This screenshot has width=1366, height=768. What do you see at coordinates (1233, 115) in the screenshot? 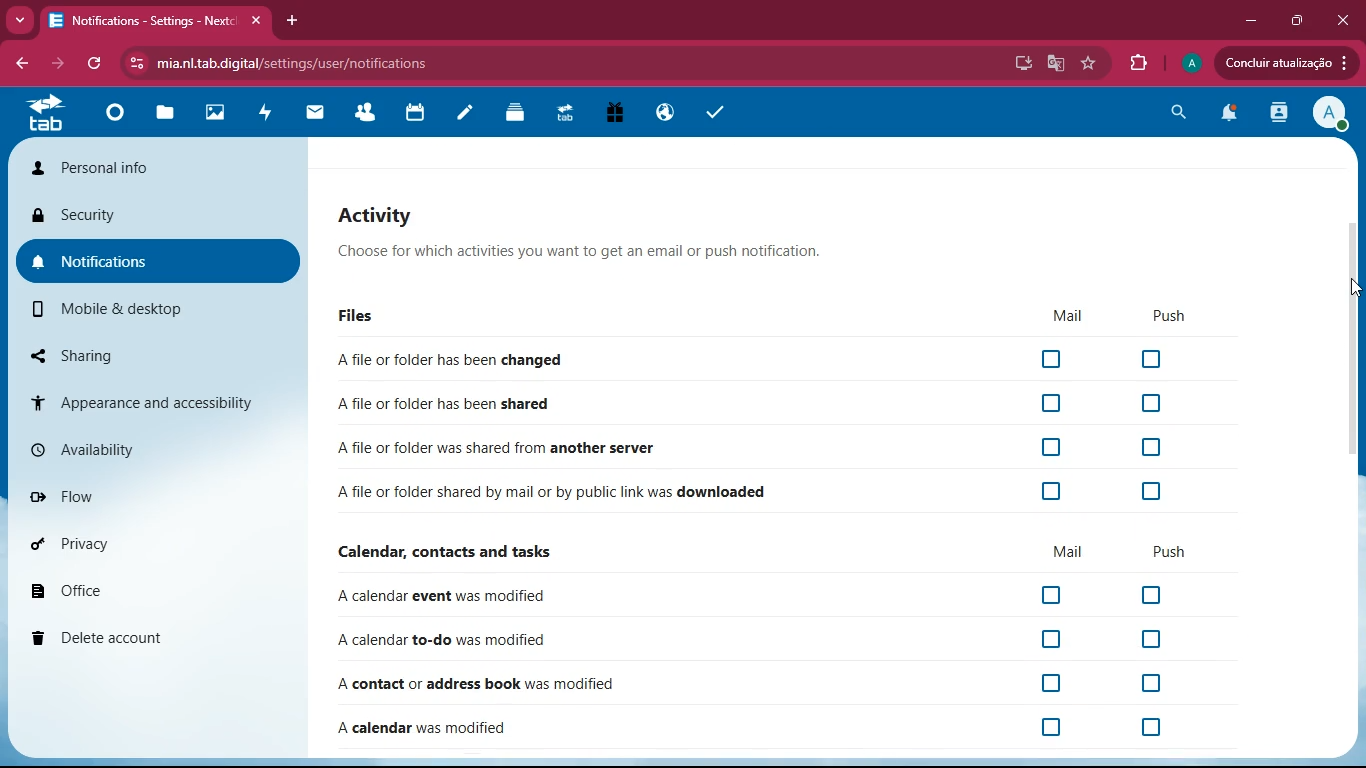
I see `notifications` at bounding box center [1233, 115].